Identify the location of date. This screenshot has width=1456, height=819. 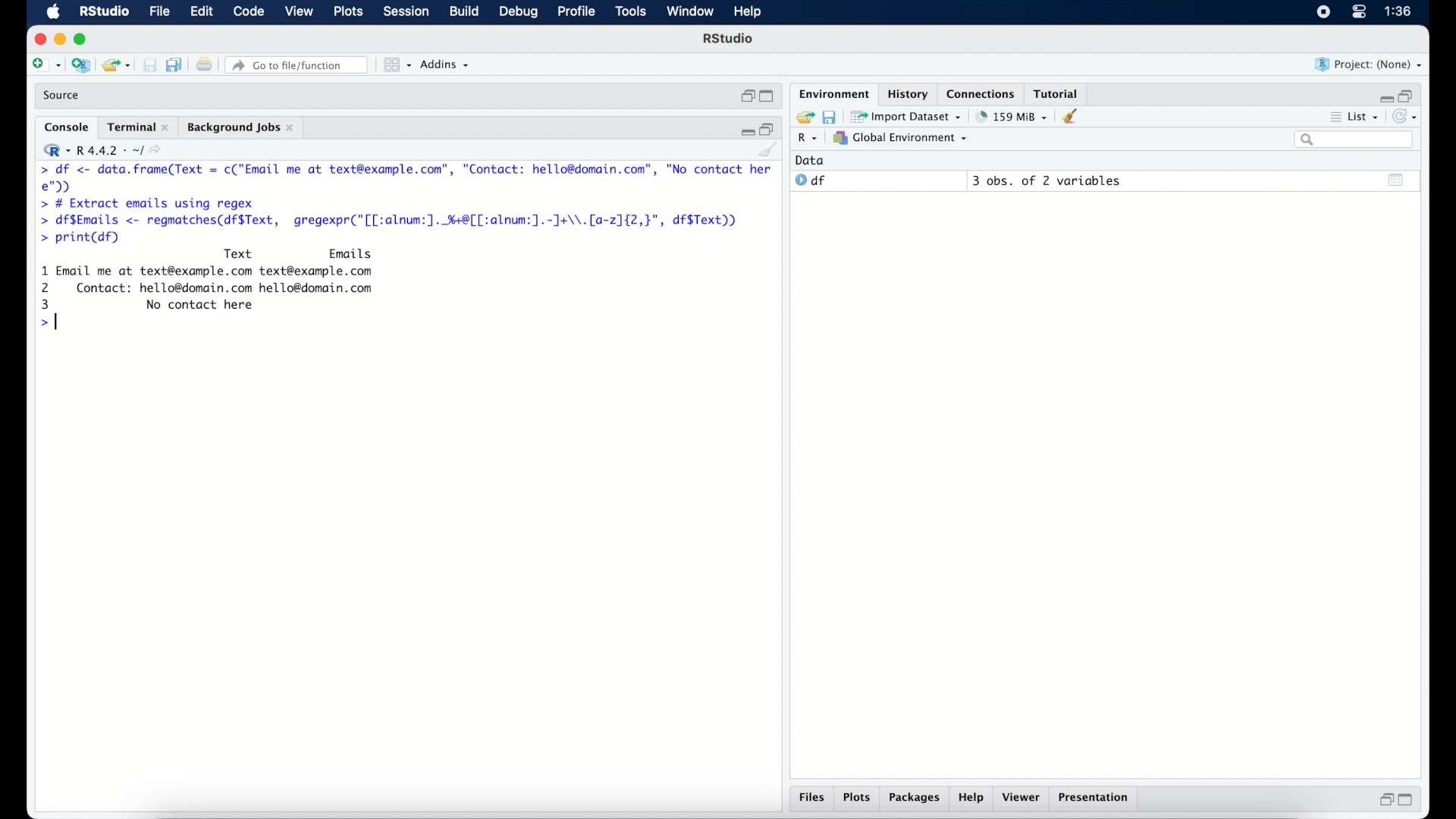
(811, 160).